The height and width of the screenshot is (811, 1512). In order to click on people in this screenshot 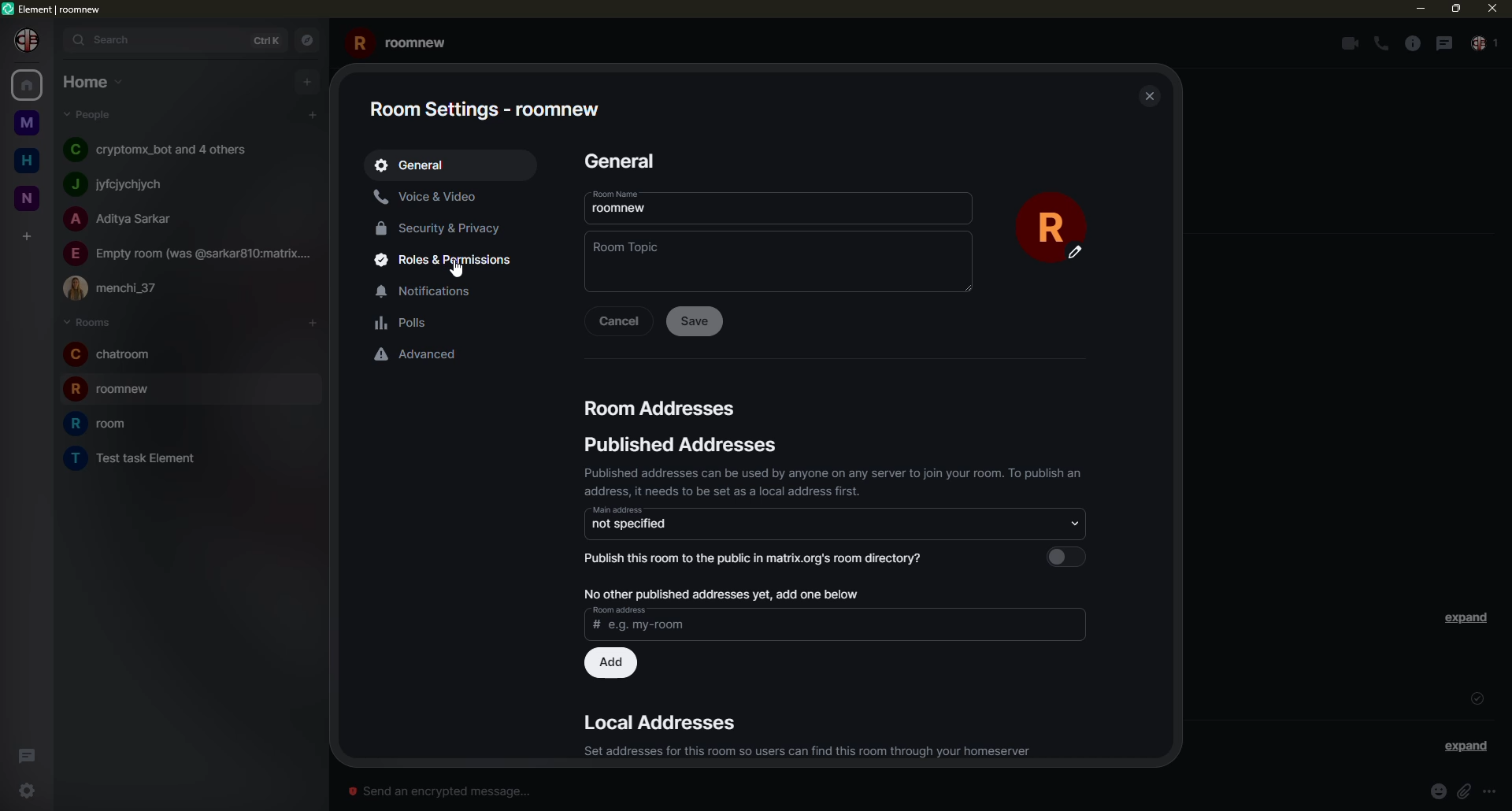, I will do `click(119, 288)`.